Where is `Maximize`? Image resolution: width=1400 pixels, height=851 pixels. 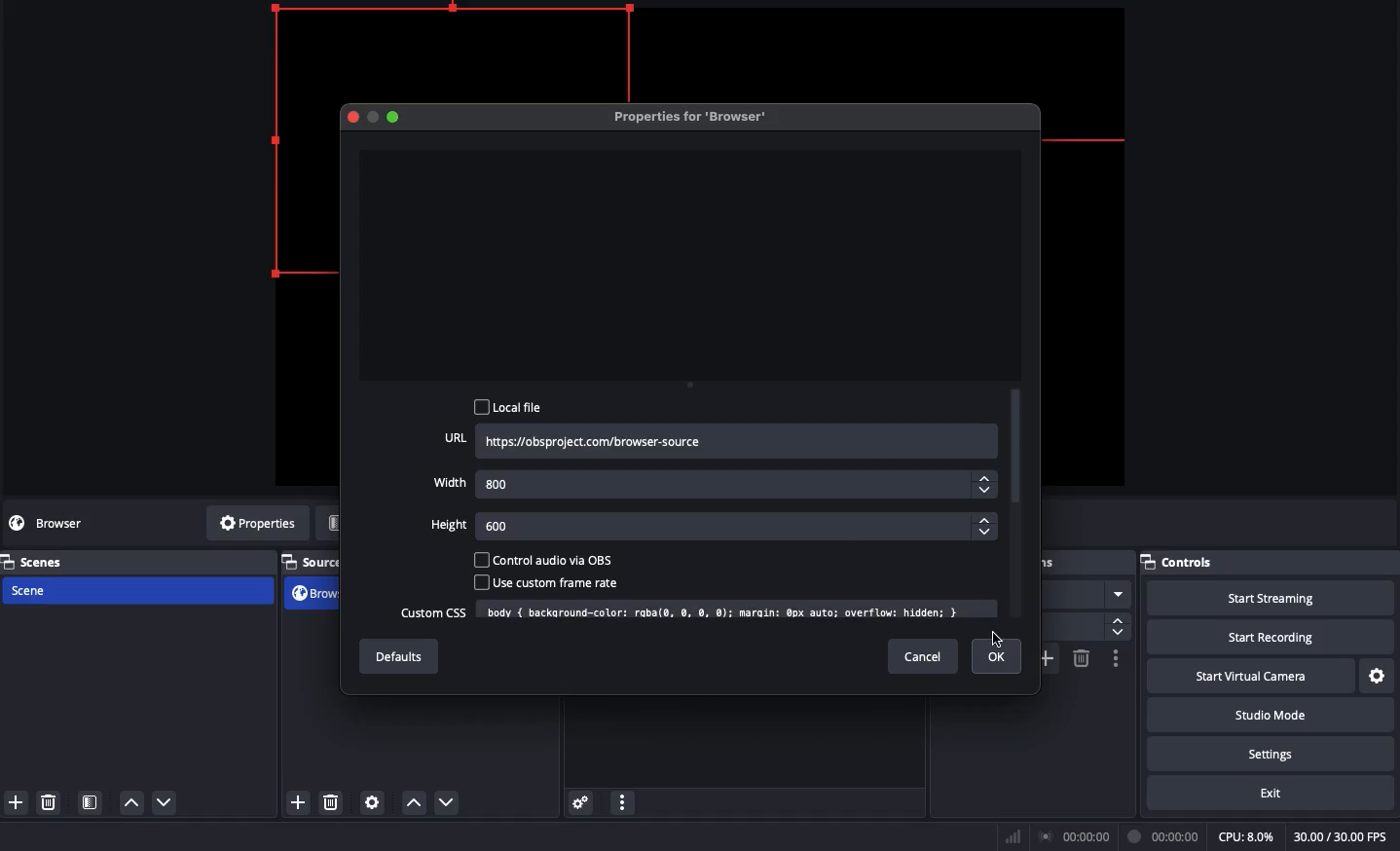 Maximize is located at coordinates (397, 116).